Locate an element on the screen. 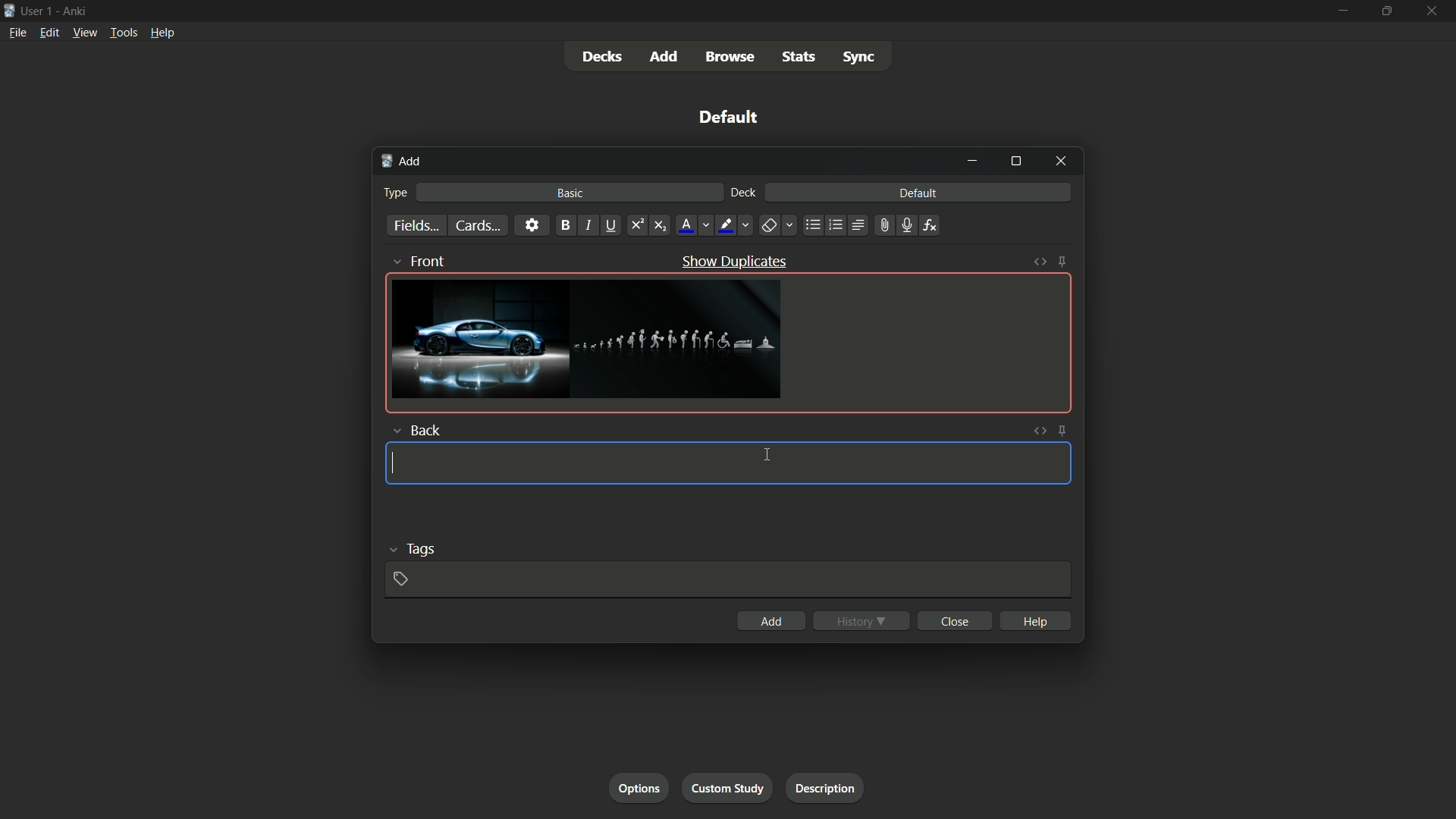 The image size is (1456, 819). stats is located at coordinates (799, 58).